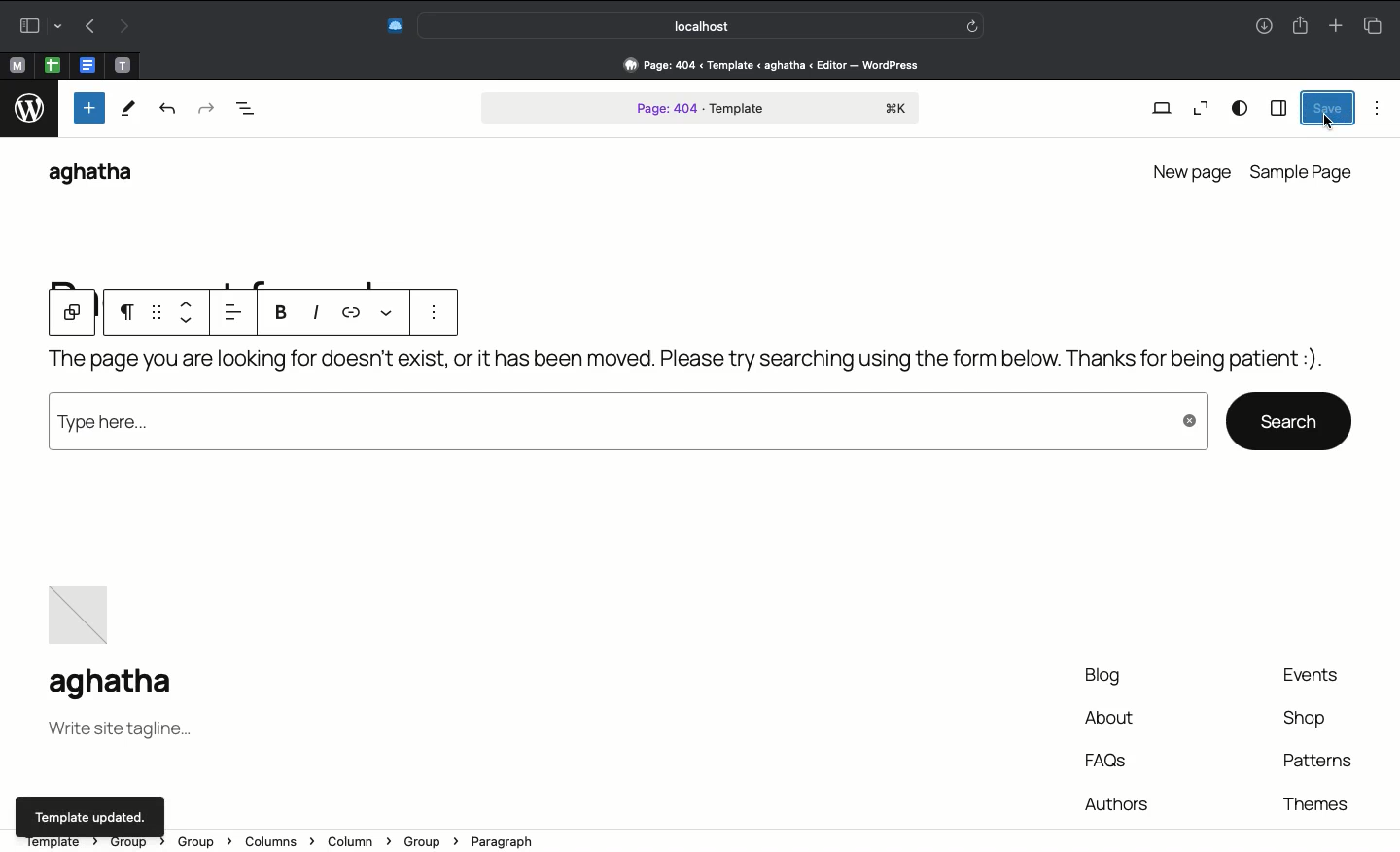 The image size is (1400, 852). Describe the element at coordinates (158, 313) in the screenshot. I see `grid` at that location.